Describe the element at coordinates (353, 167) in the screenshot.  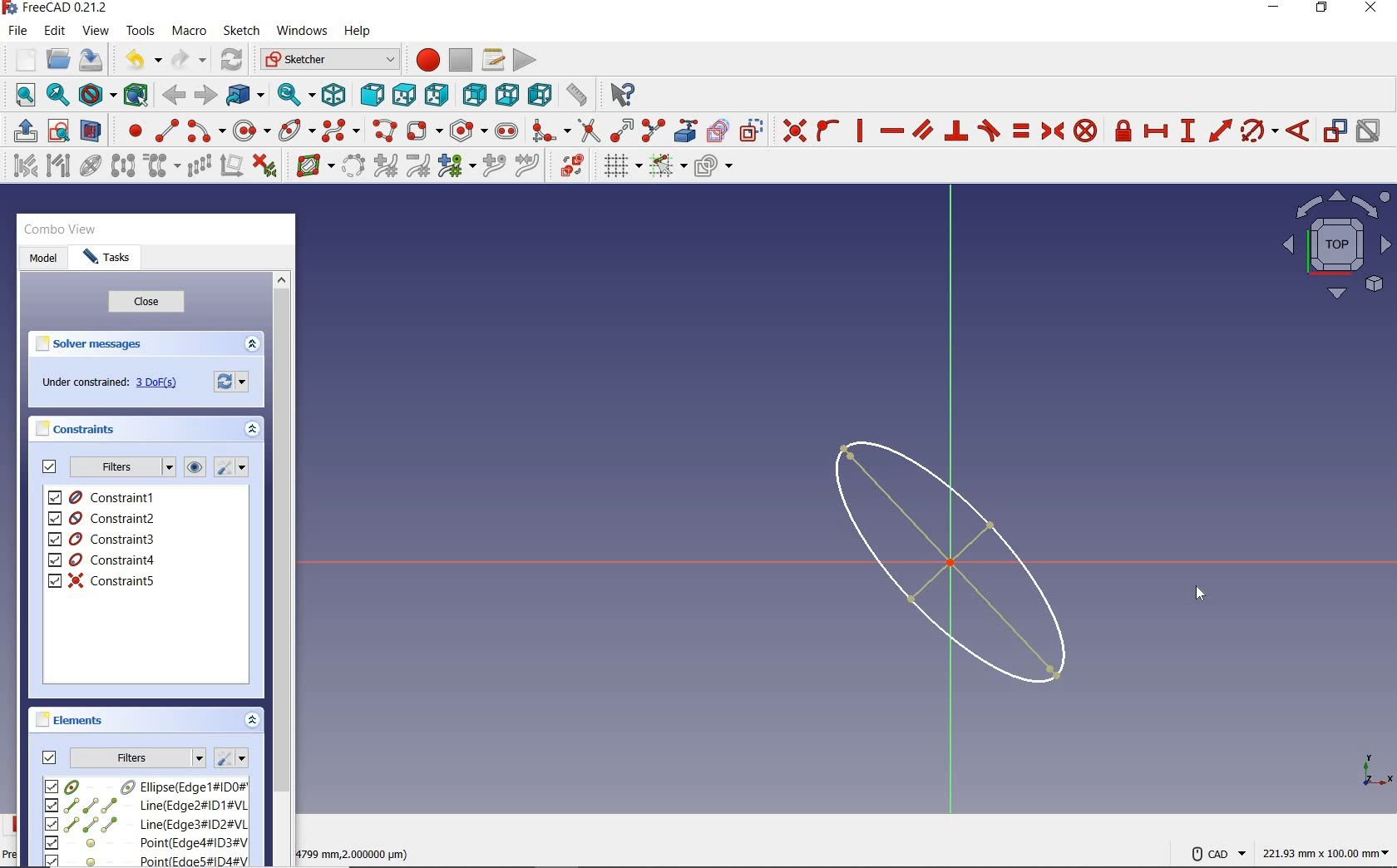
I see `convert geometry to B-spline` at that location.